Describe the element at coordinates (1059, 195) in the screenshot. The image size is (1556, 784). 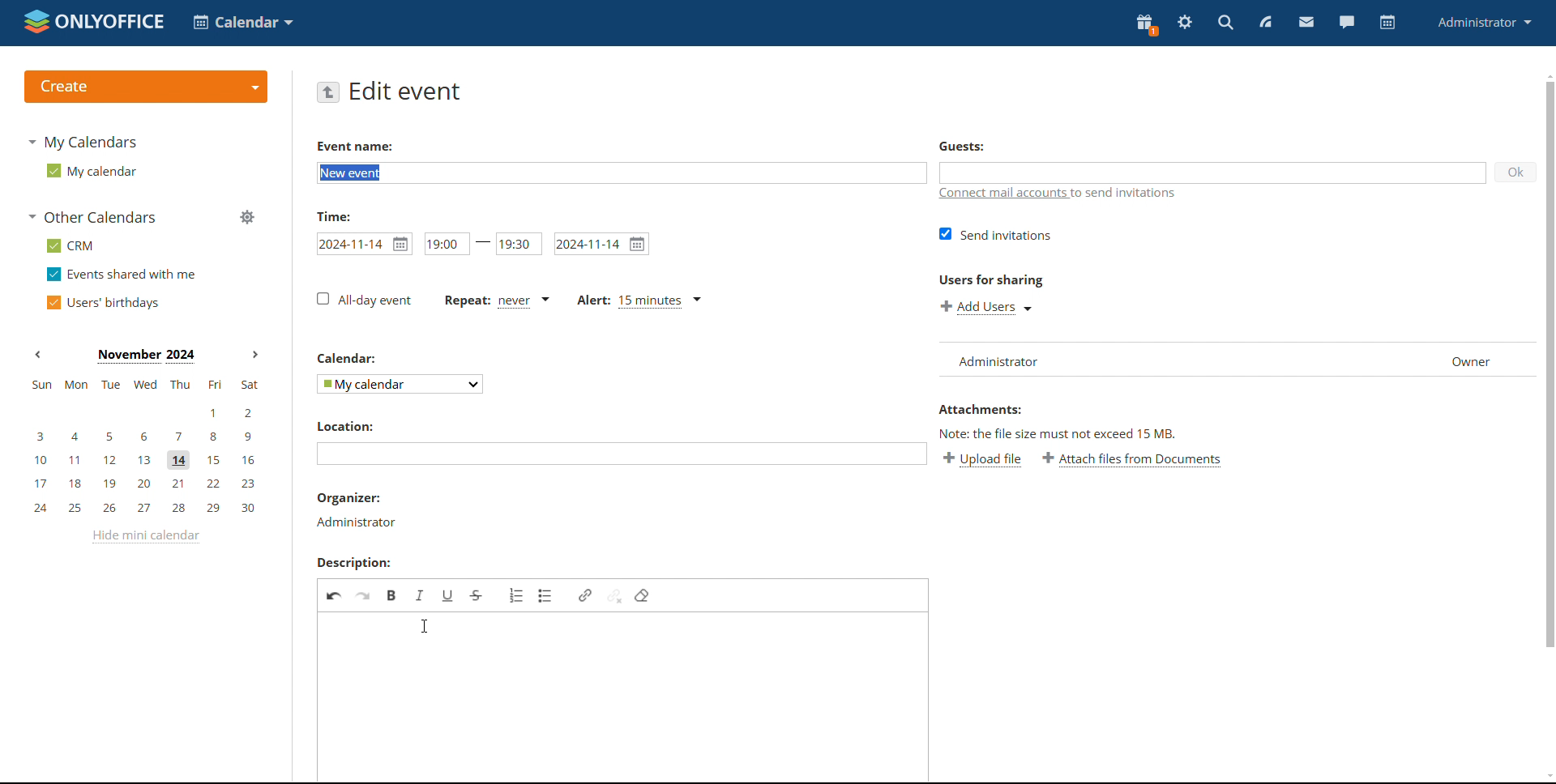
I see `connect mail accounts` at that location.